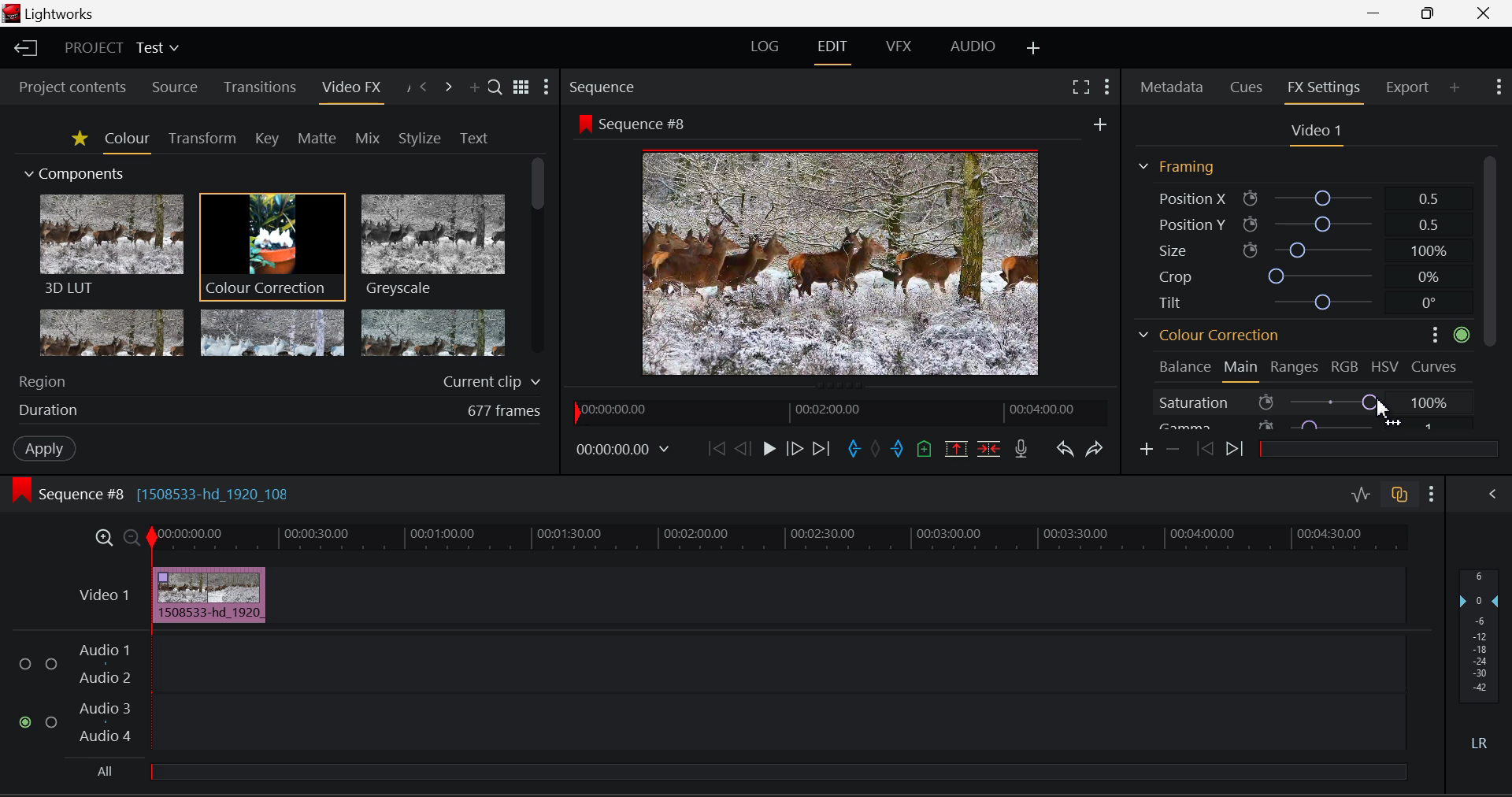 The width and height of the screenshot is (1512, 797). I want to click on Duration, so click(279, 409).